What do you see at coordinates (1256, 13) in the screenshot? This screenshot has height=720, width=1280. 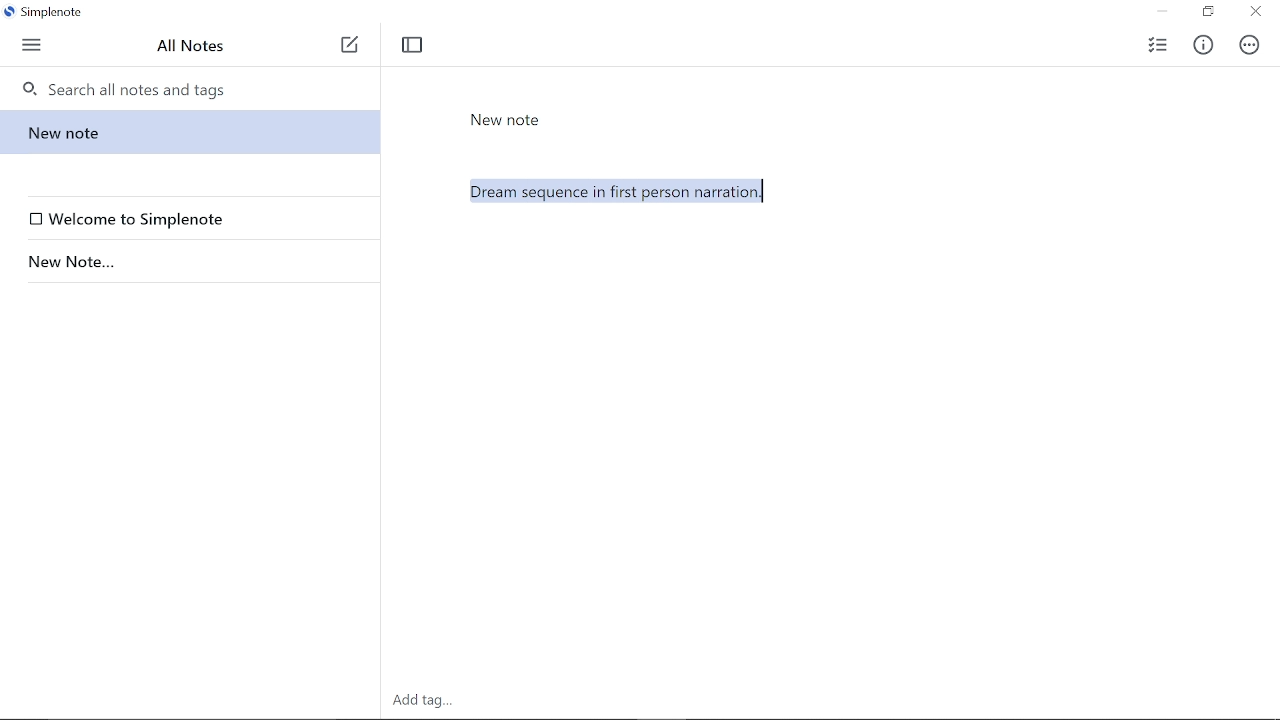 I see `Close` at bounding box center [1256, 13].